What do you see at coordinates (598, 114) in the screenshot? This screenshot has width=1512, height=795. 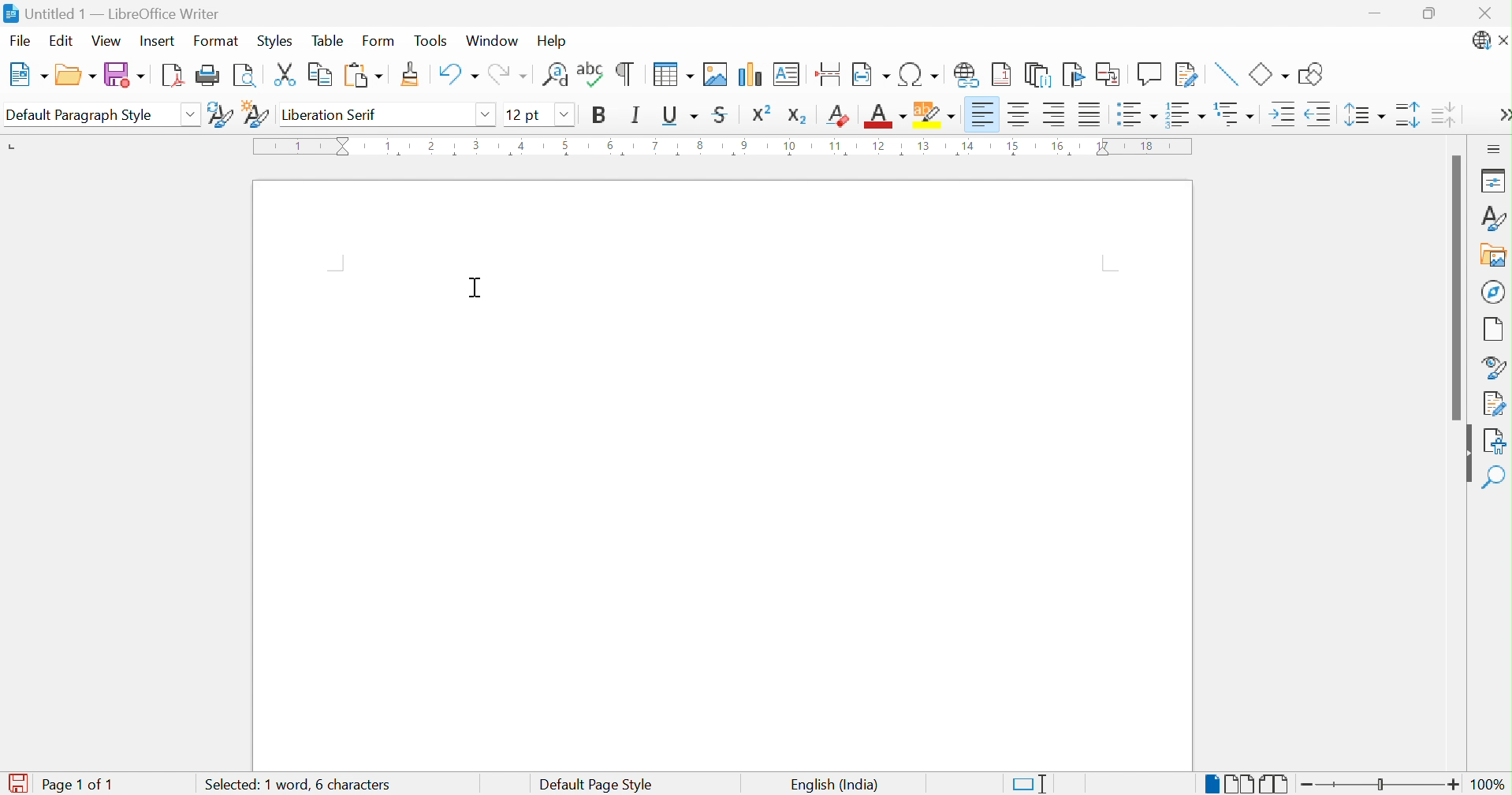 I see `Bold` at bounding box center [598, 114].